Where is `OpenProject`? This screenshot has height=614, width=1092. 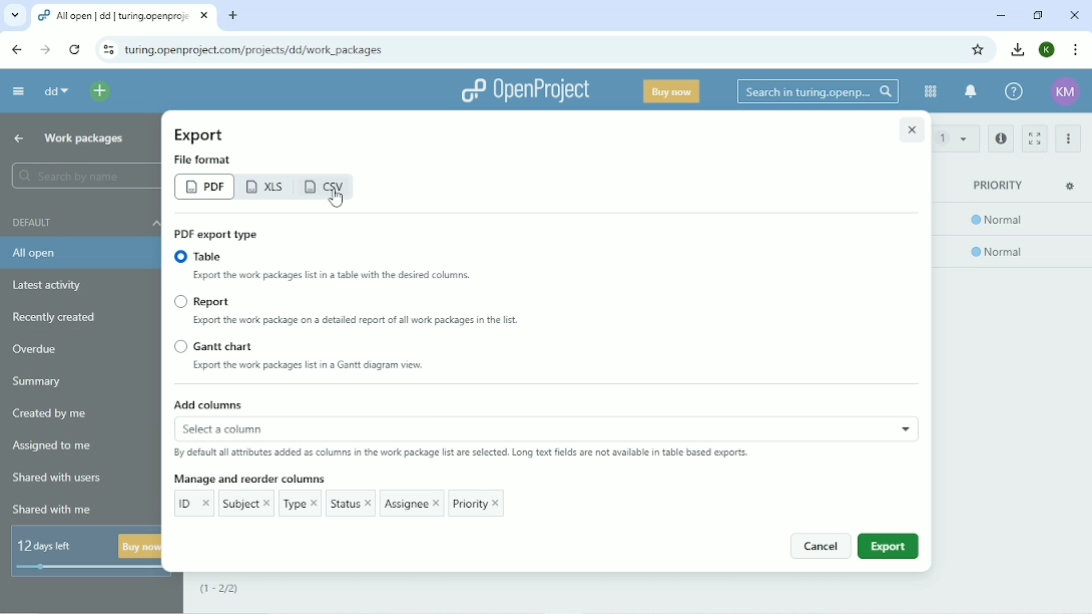
OpenProject is located at coordinates (524, 91).